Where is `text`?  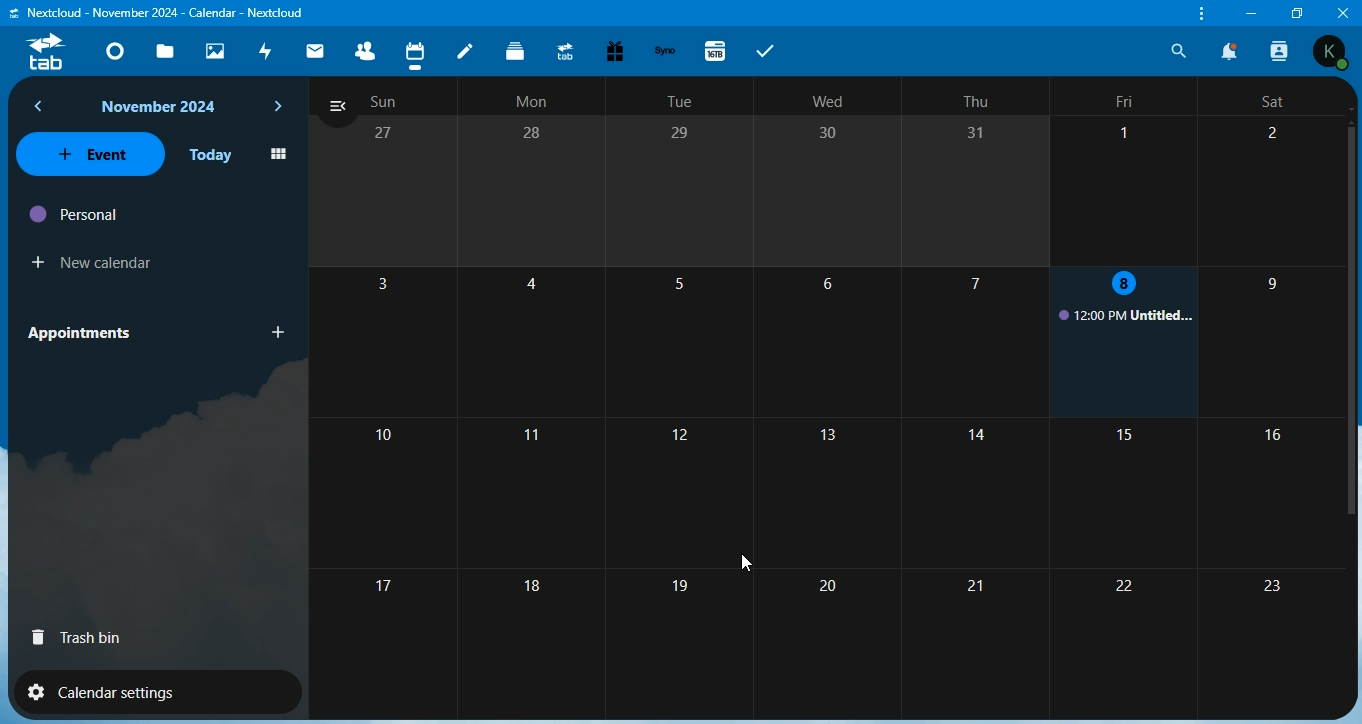 text is located at coordinates (158, 108).